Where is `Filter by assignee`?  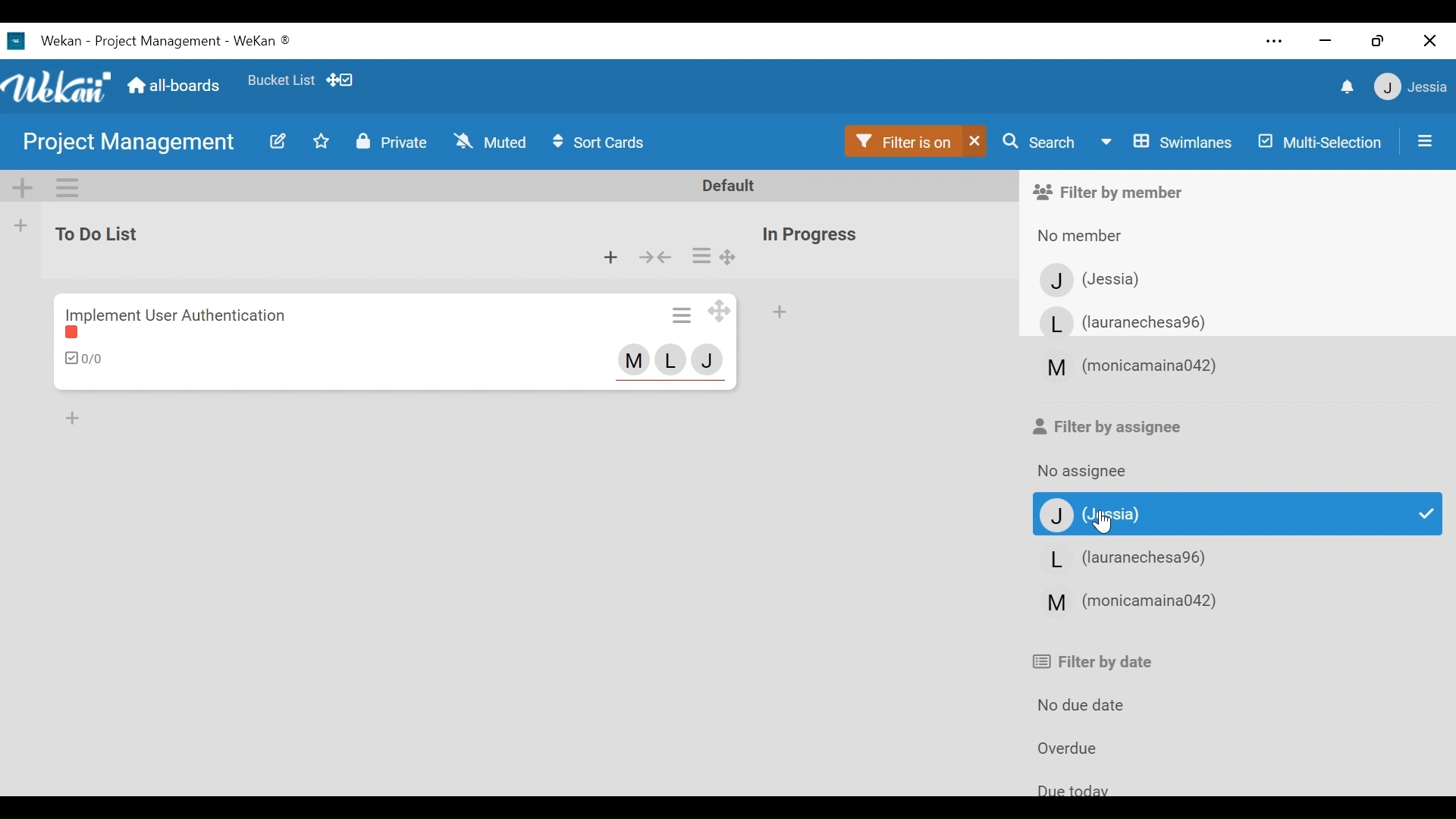
Filter by assignee is located at coordinates (1125, 428).